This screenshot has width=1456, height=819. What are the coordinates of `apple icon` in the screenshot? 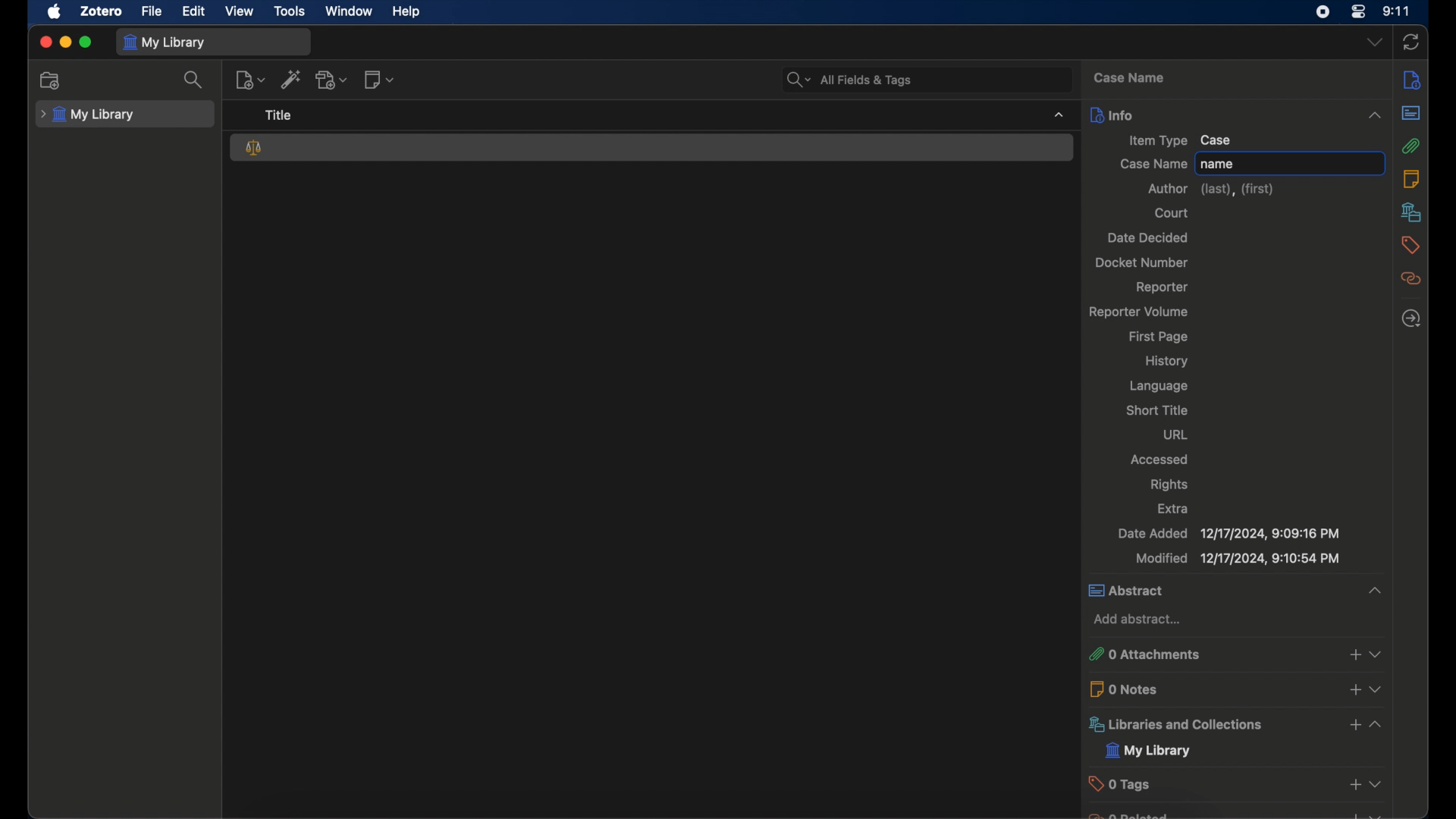 It's located at (55, 12).